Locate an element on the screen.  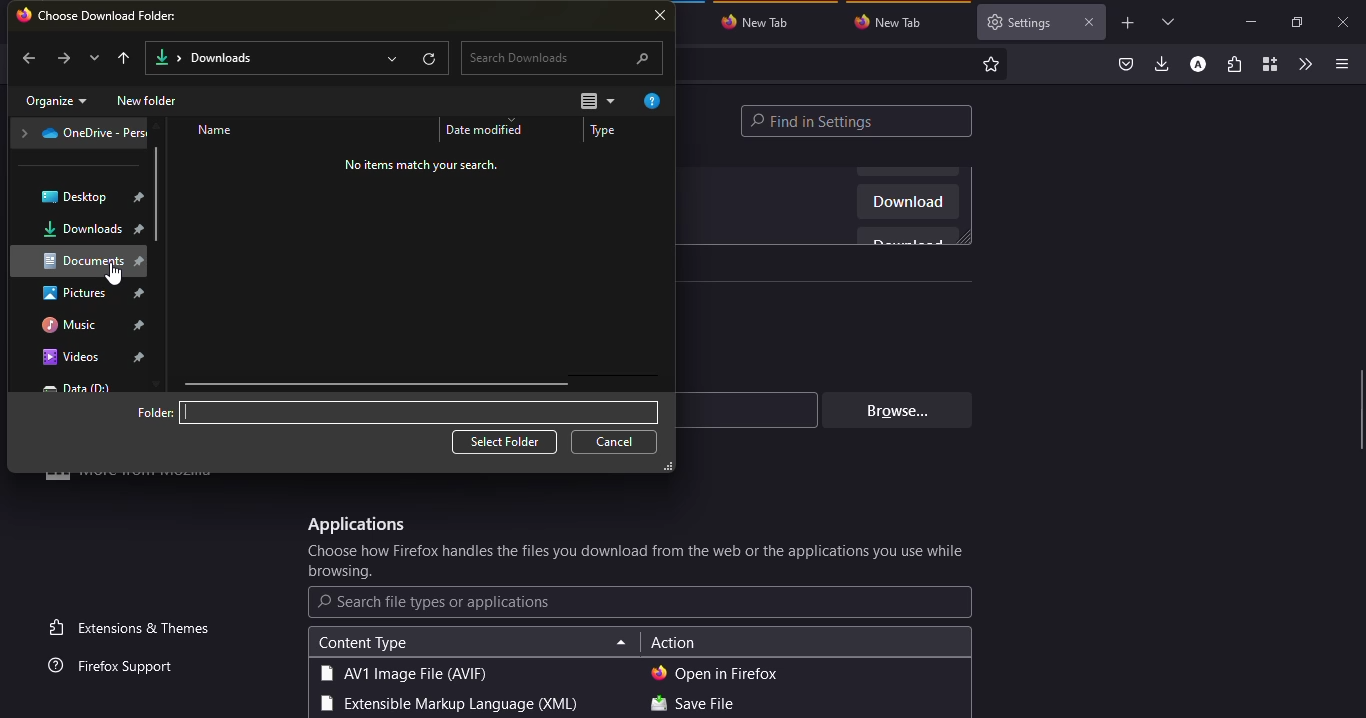
organize is located at coordinates (56, 102).